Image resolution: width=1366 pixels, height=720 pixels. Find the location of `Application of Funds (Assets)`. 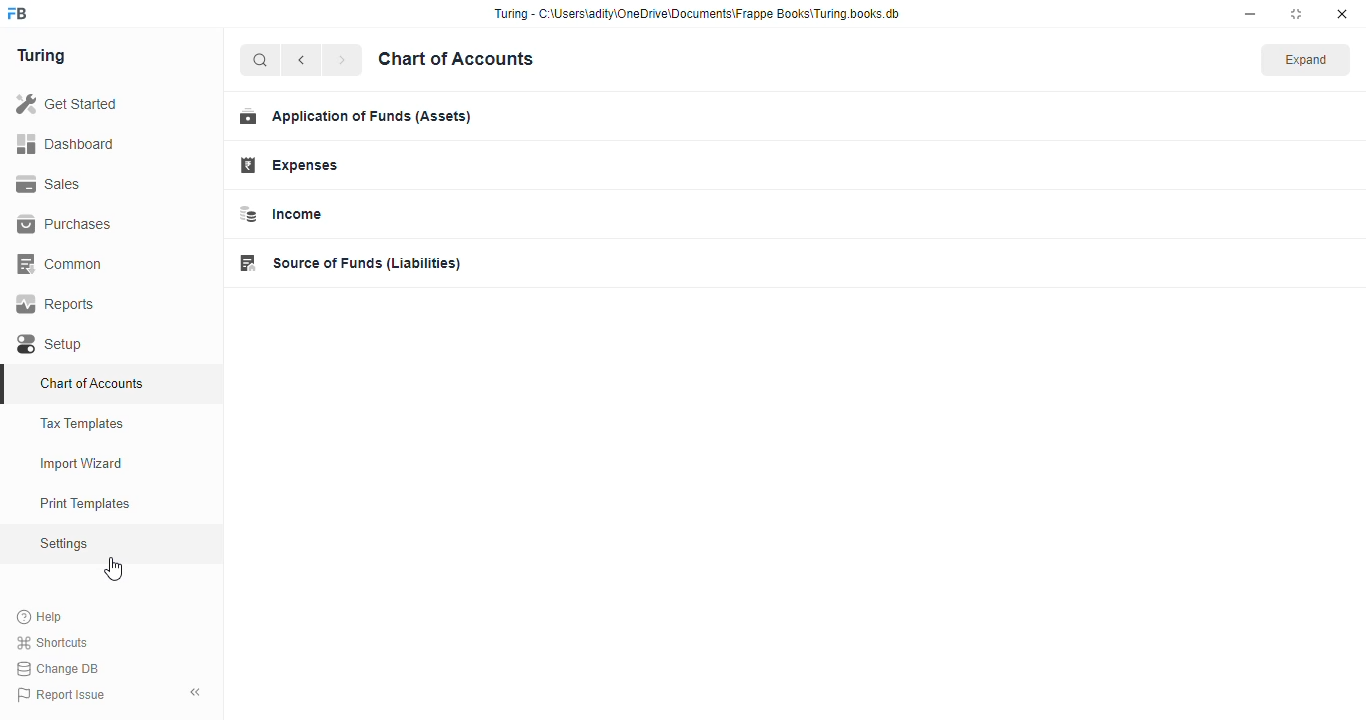

Application of Funds (Assets) is located at coordinates (564, 118).